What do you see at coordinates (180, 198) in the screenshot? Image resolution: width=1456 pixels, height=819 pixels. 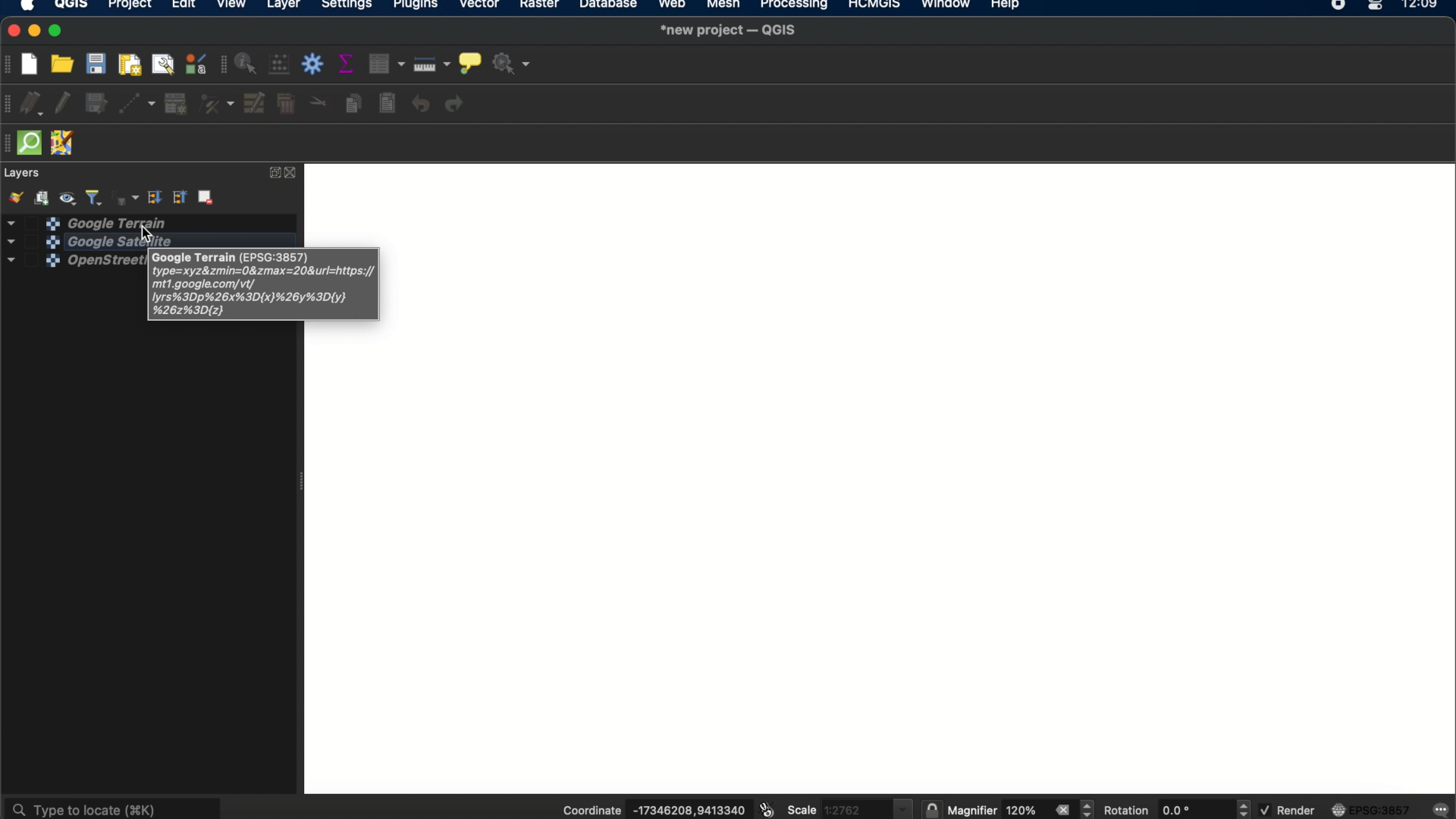 I see `collapse all` at bounding box center [180, 198].